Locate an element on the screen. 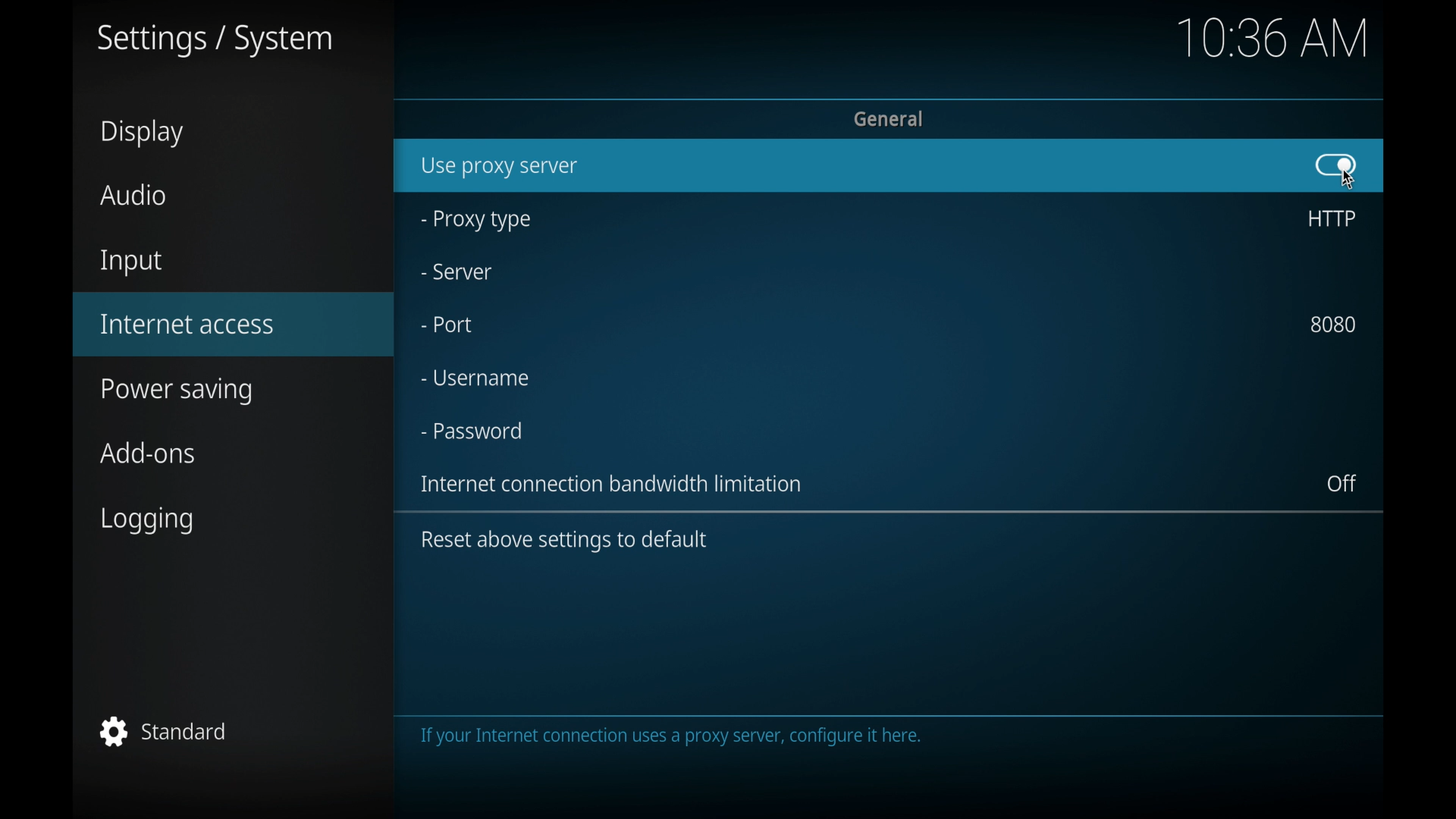 Image resolution: width=1456 pixels, height=819 pixels. info is located at coordinates (614, 484).